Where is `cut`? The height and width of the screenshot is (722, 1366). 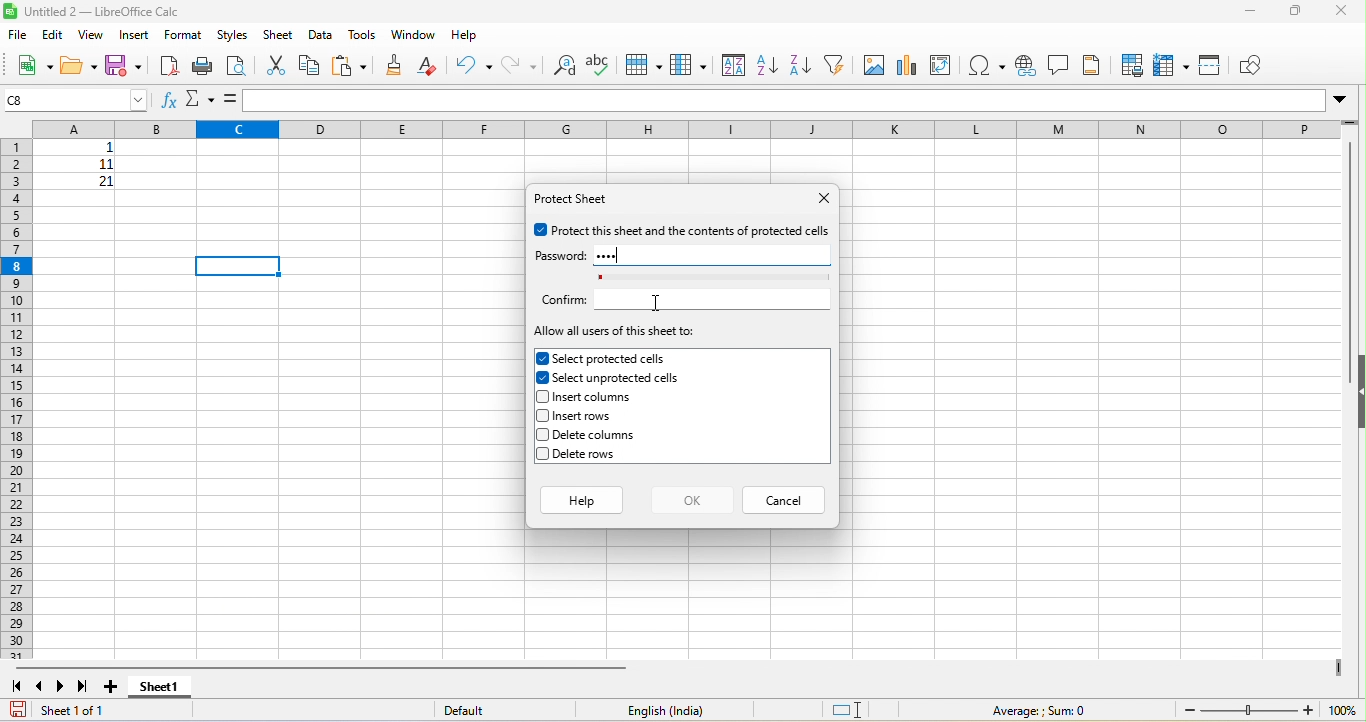
cut is located at coordinates (278, 66).